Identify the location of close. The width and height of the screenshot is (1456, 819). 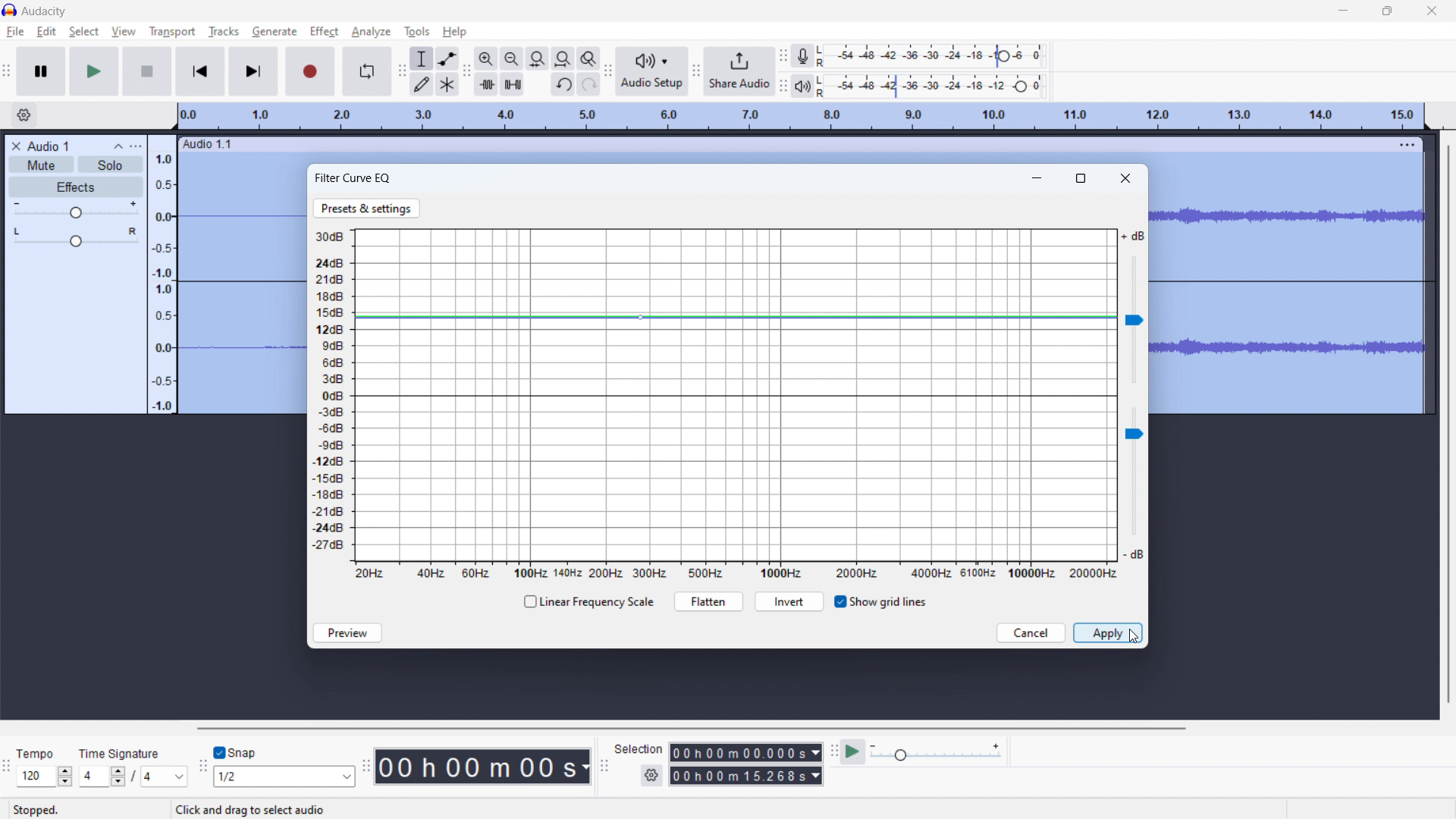
(1432, 10).